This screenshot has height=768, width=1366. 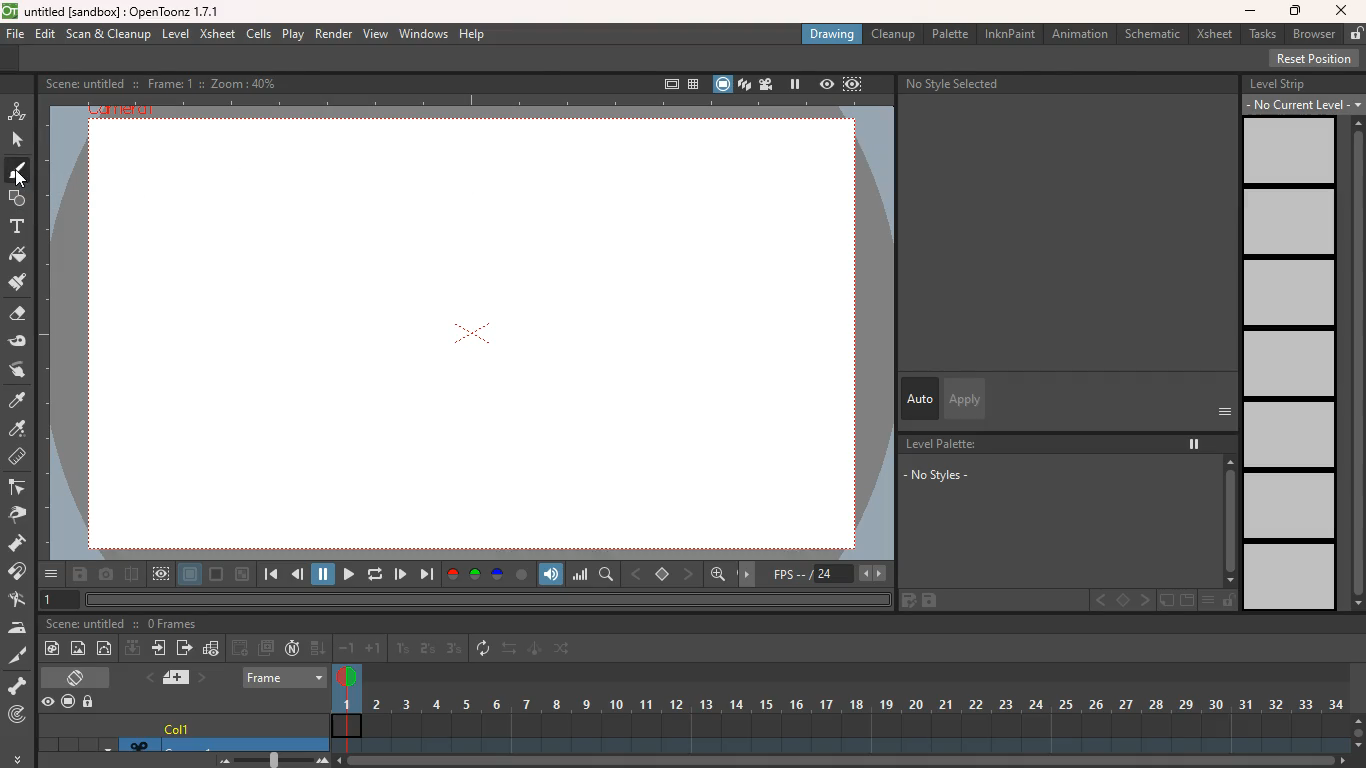 What do you see at coordinates (18, 401) in the screenshot?
I see `paint` at bounding box center [18, 401].